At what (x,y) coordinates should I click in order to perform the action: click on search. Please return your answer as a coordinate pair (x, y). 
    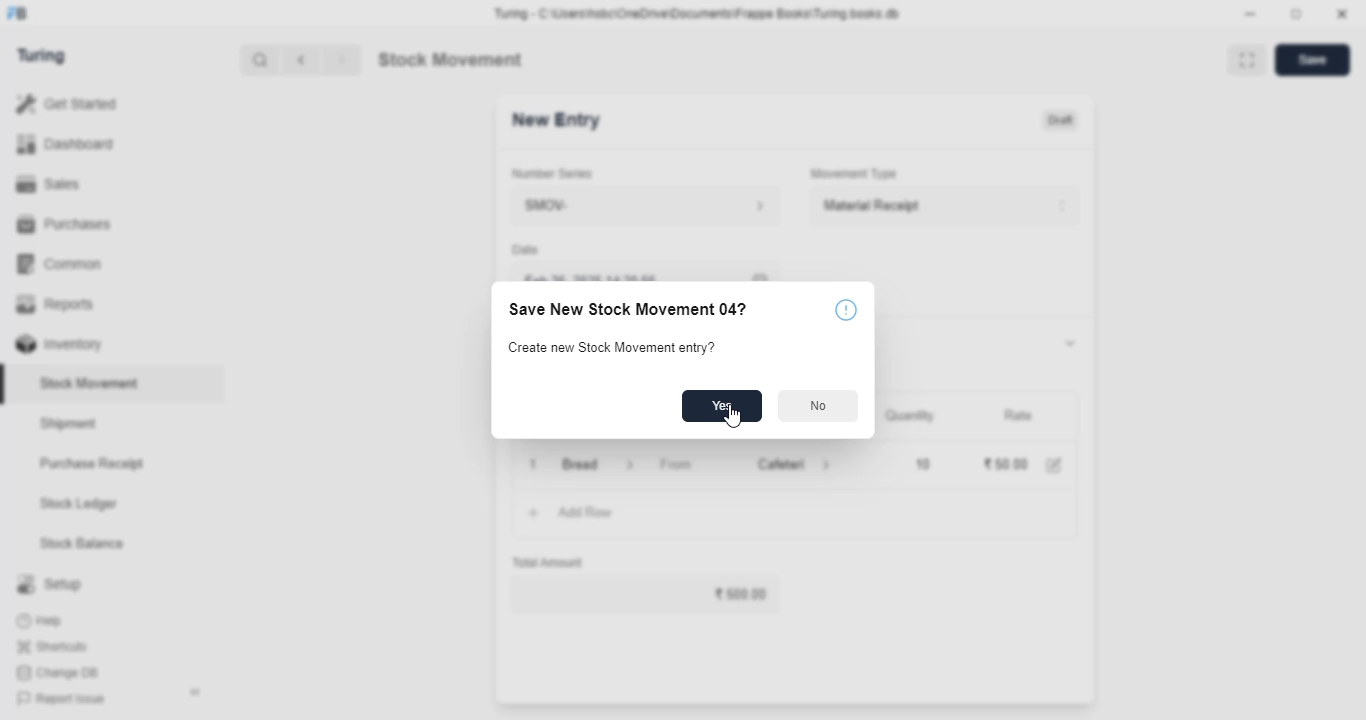
    Looking at the image, I should click on (261, 60).